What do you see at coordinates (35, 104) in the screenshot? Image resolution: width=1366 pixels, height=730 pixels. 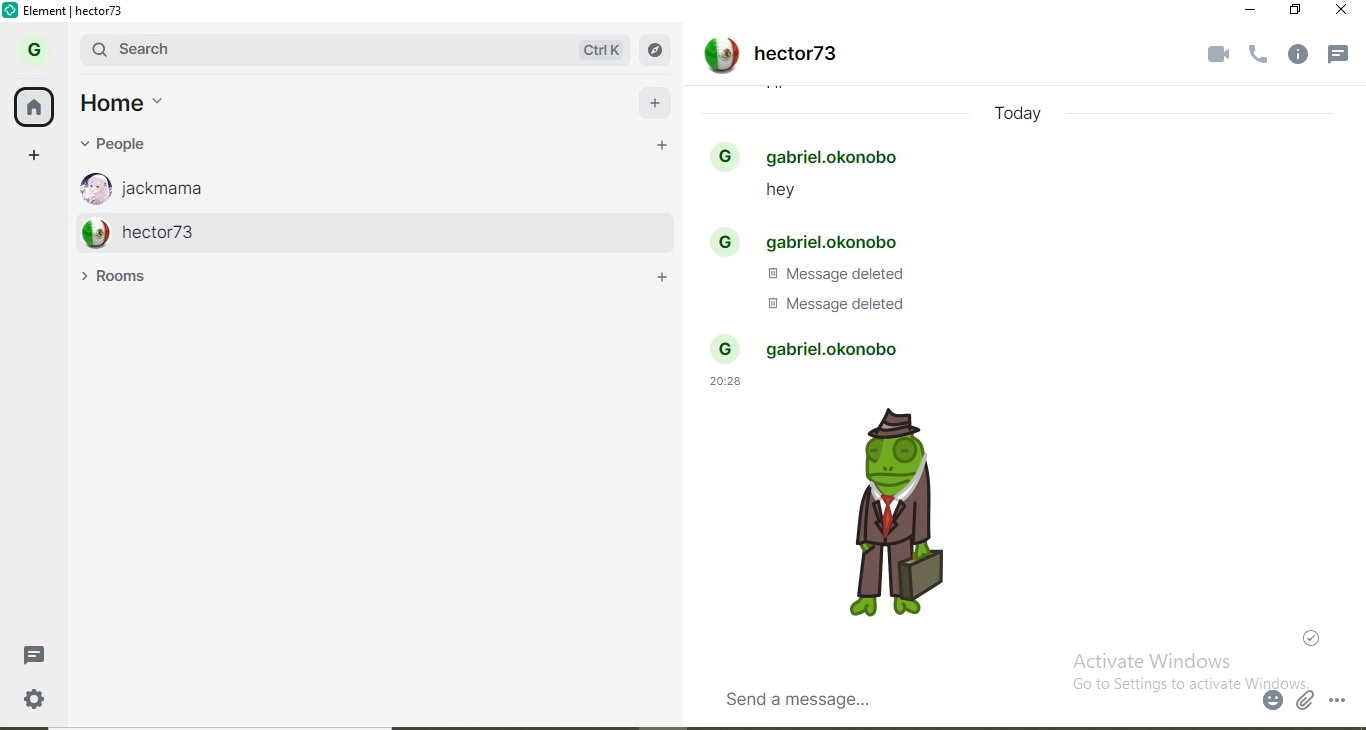 I see `home` at bounding box center [35, 104].